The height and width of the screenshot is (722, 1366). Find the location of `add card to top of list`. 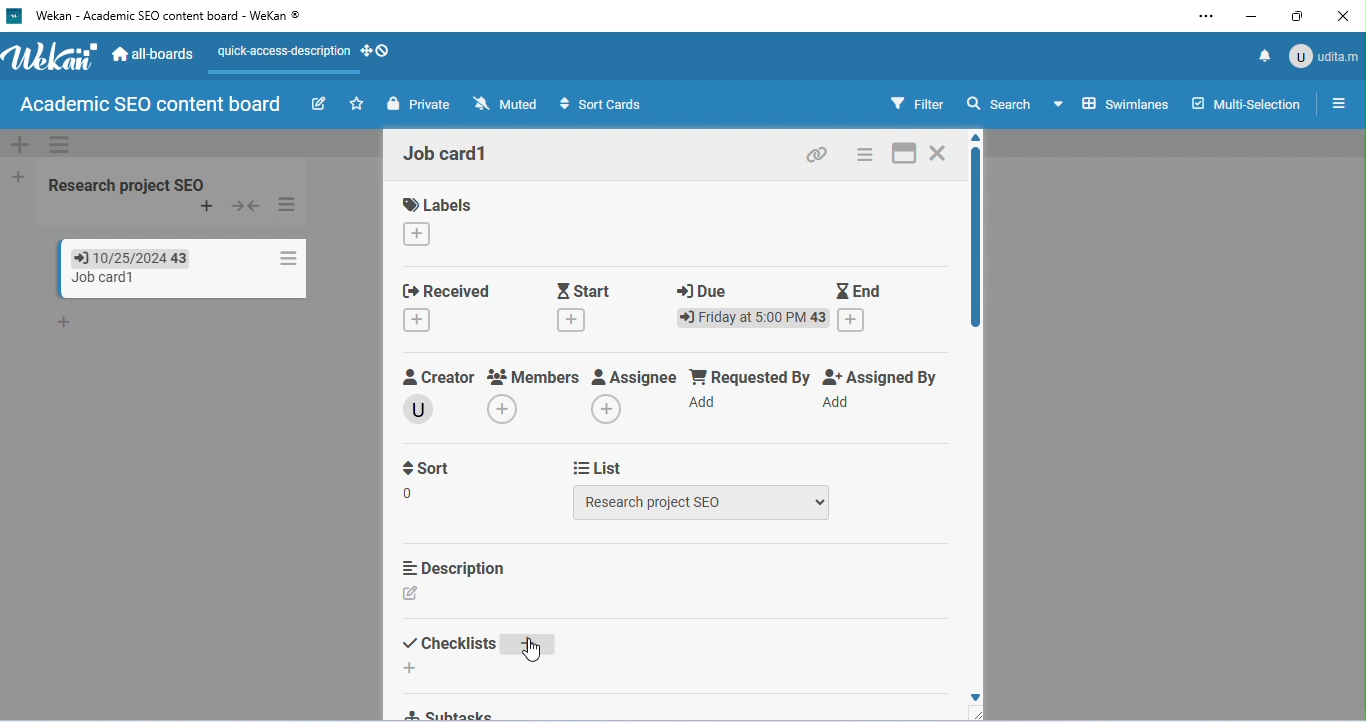

add card to top of list is located at coordinates (207, 207).